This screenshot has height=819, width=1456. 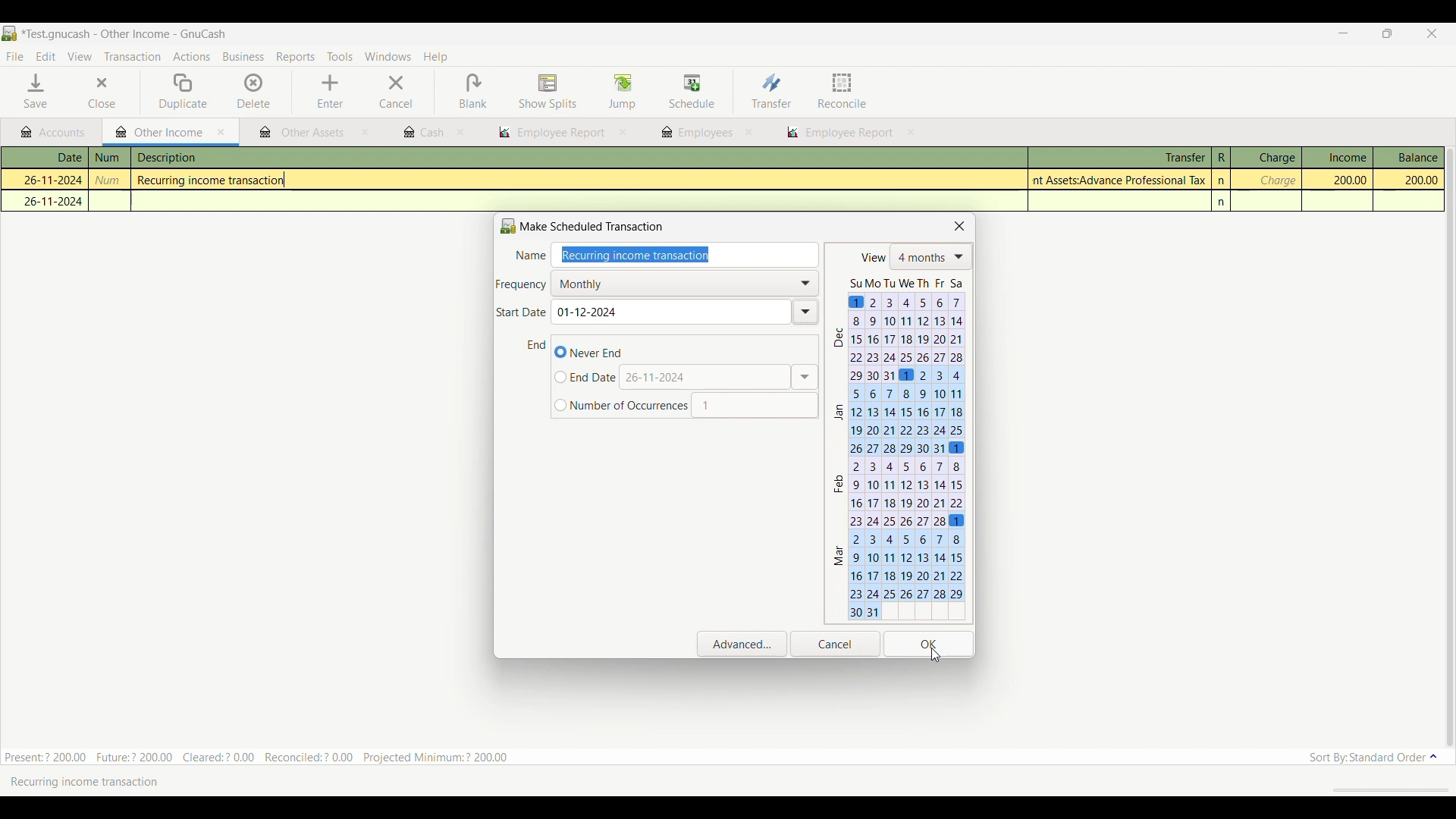 What do you see at coordinates (522, 285) in the screenshot?
I see `Indicates frequency of transaction` at bounding box center [522, 285].